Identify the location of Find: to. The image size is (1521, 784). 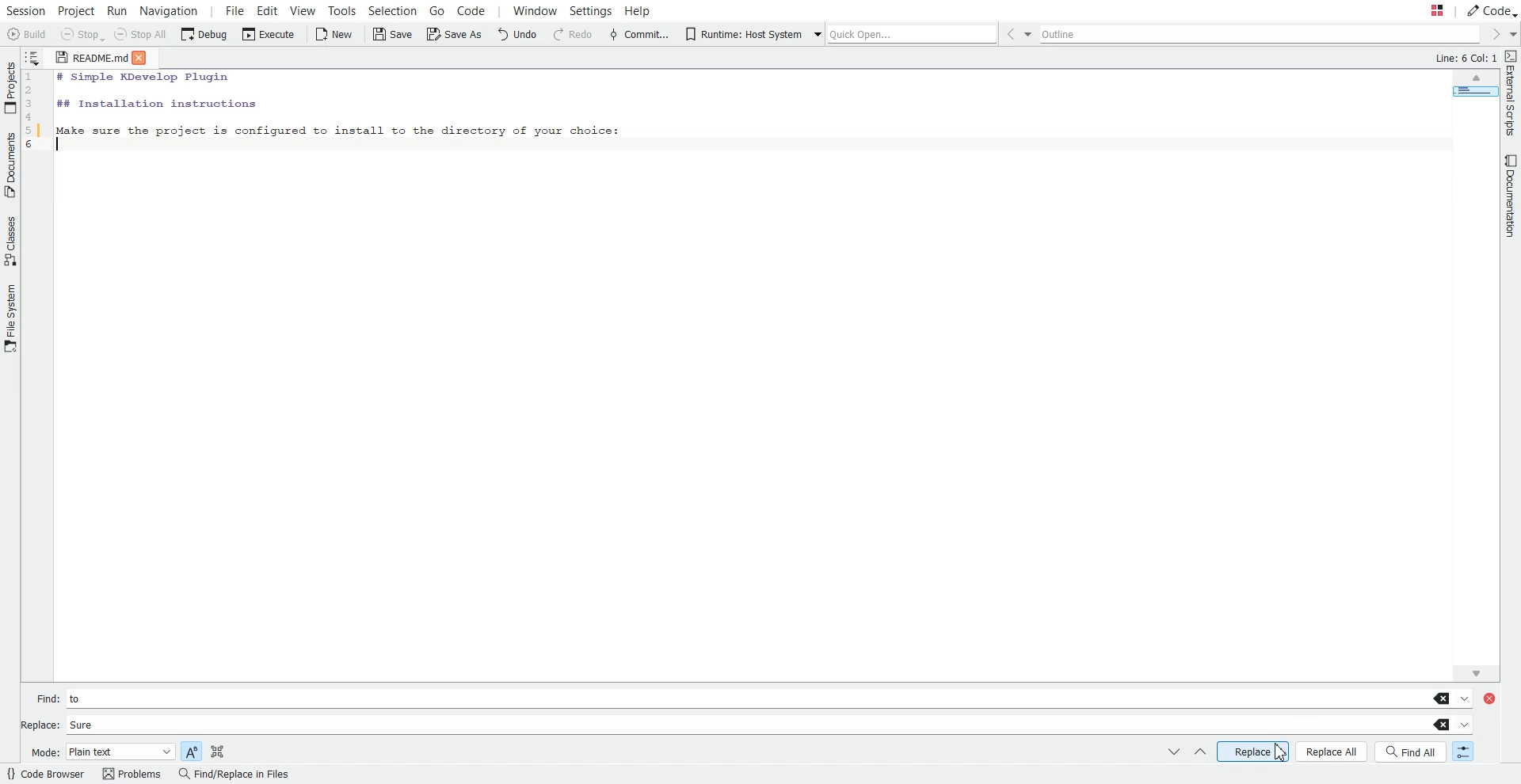
(753, 698).